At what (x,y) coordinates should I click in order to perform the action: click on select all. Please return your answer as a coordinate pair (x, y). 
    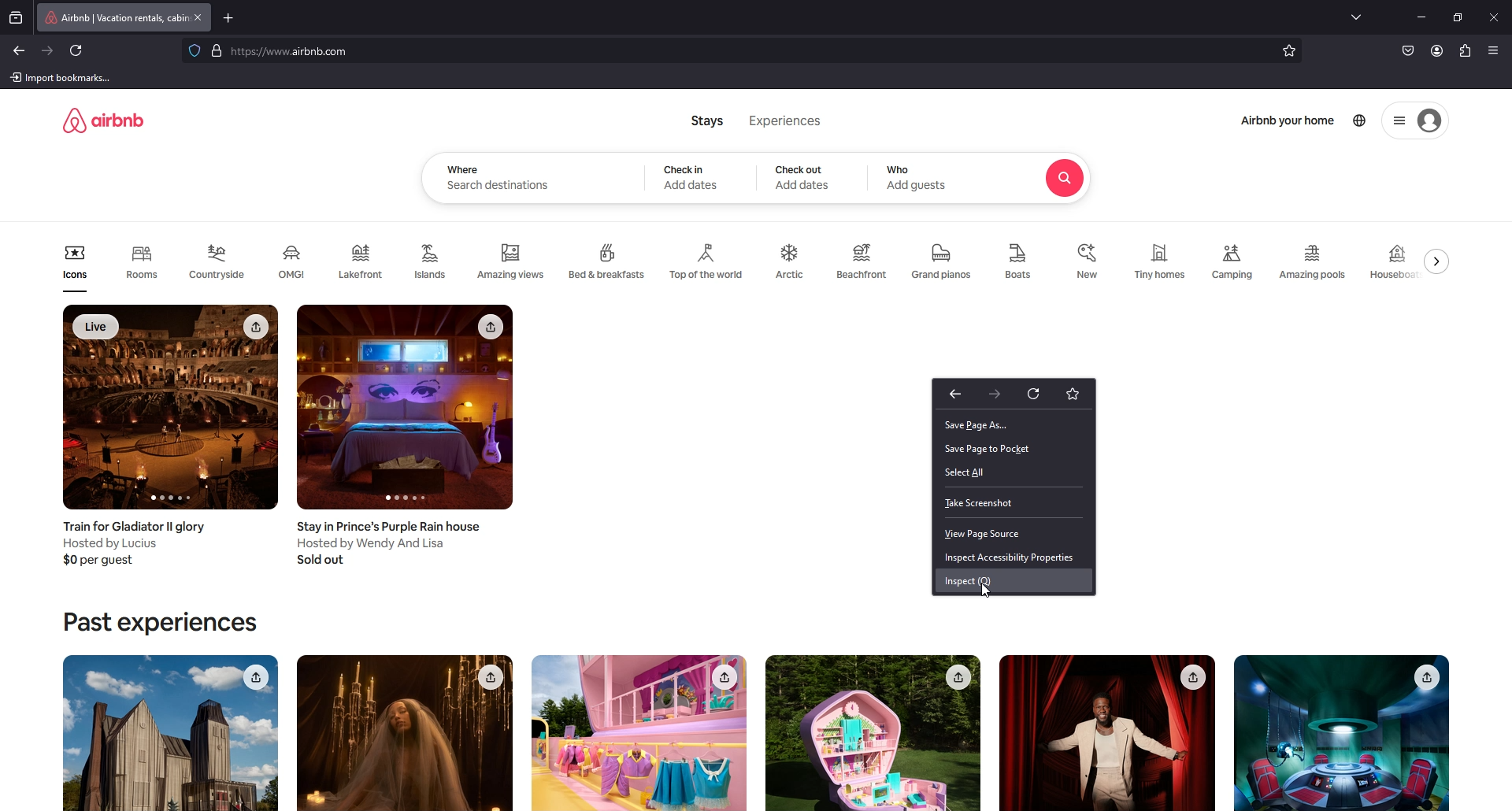
    Looking at the image, I should click on (1012, 472).